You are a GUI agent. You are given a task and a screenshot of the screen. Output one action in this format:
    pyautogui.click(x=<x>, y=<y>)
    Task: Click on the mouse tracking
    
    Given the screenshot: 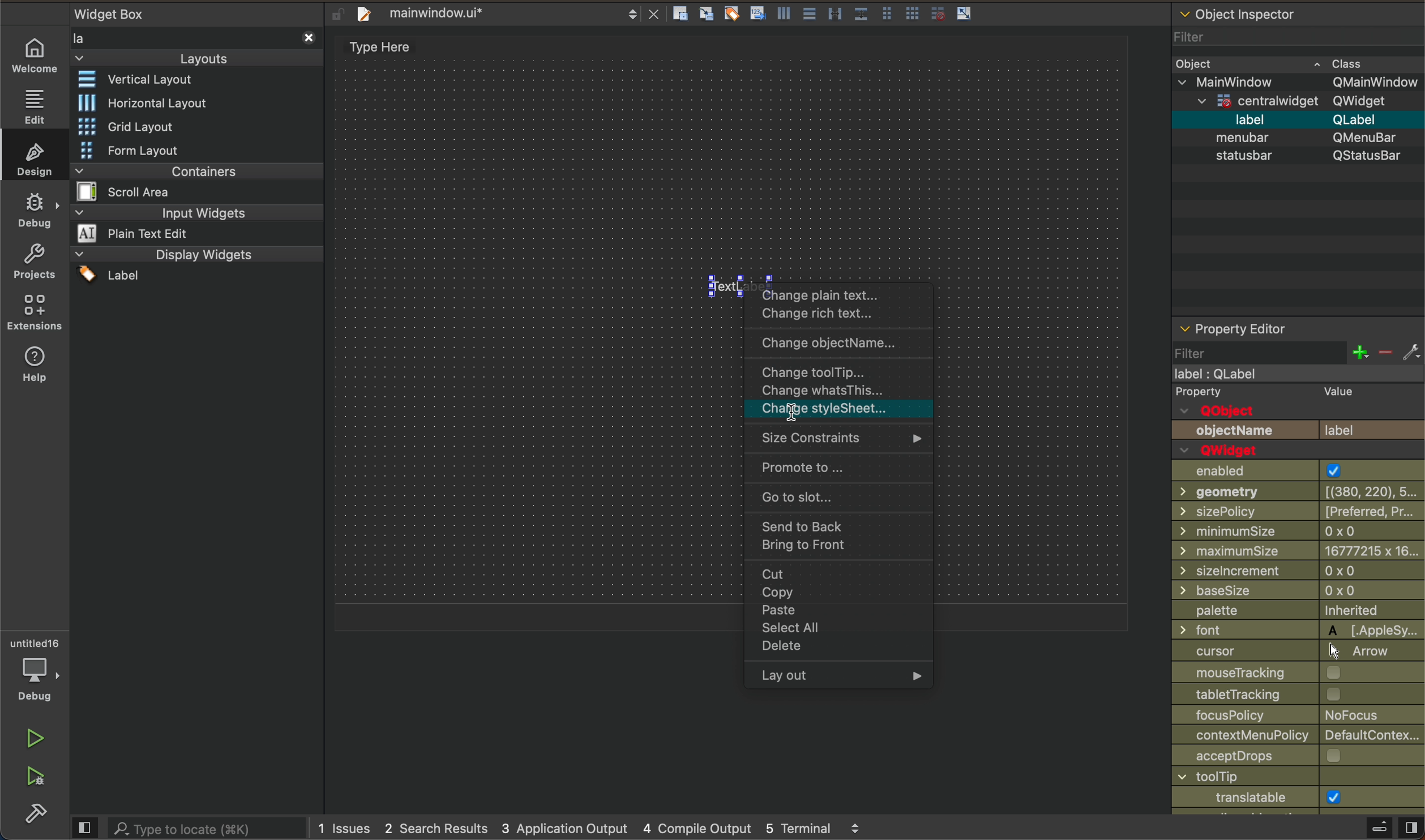 What is the action you would take?
    pyautogui.click(x=1282, y=674)
    